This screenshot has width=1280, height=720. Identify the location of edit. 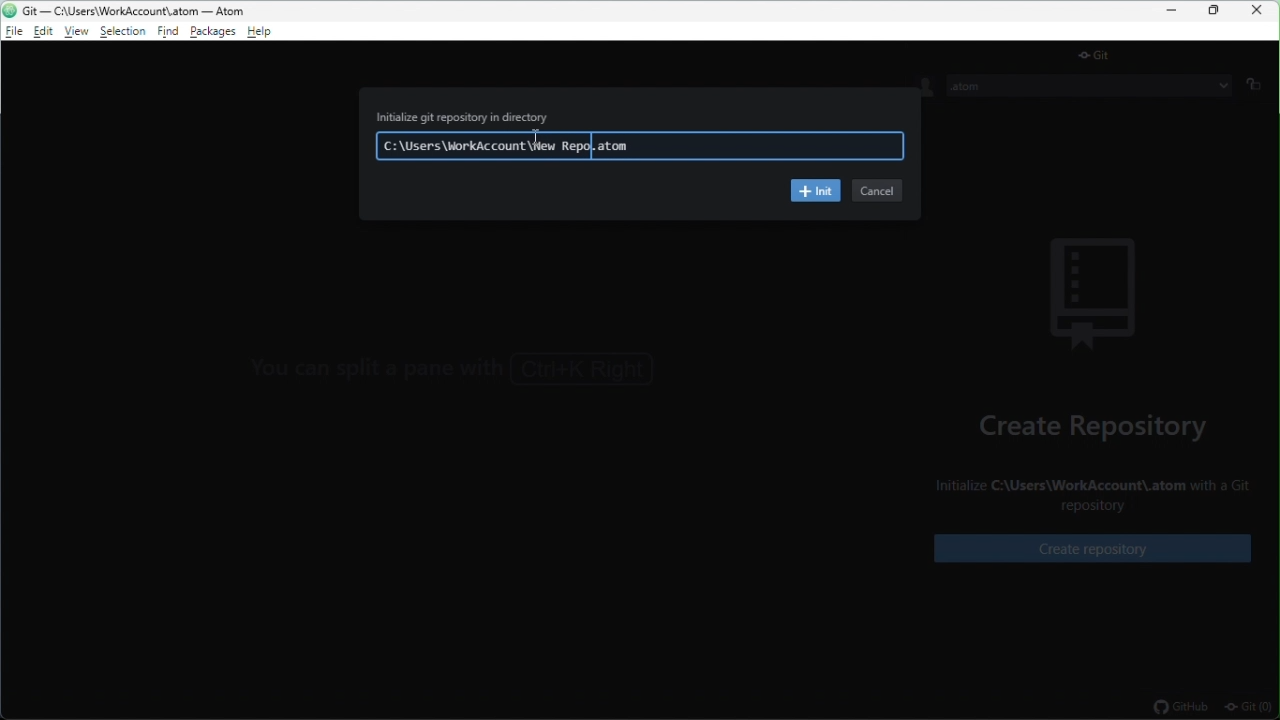
(46, 32).